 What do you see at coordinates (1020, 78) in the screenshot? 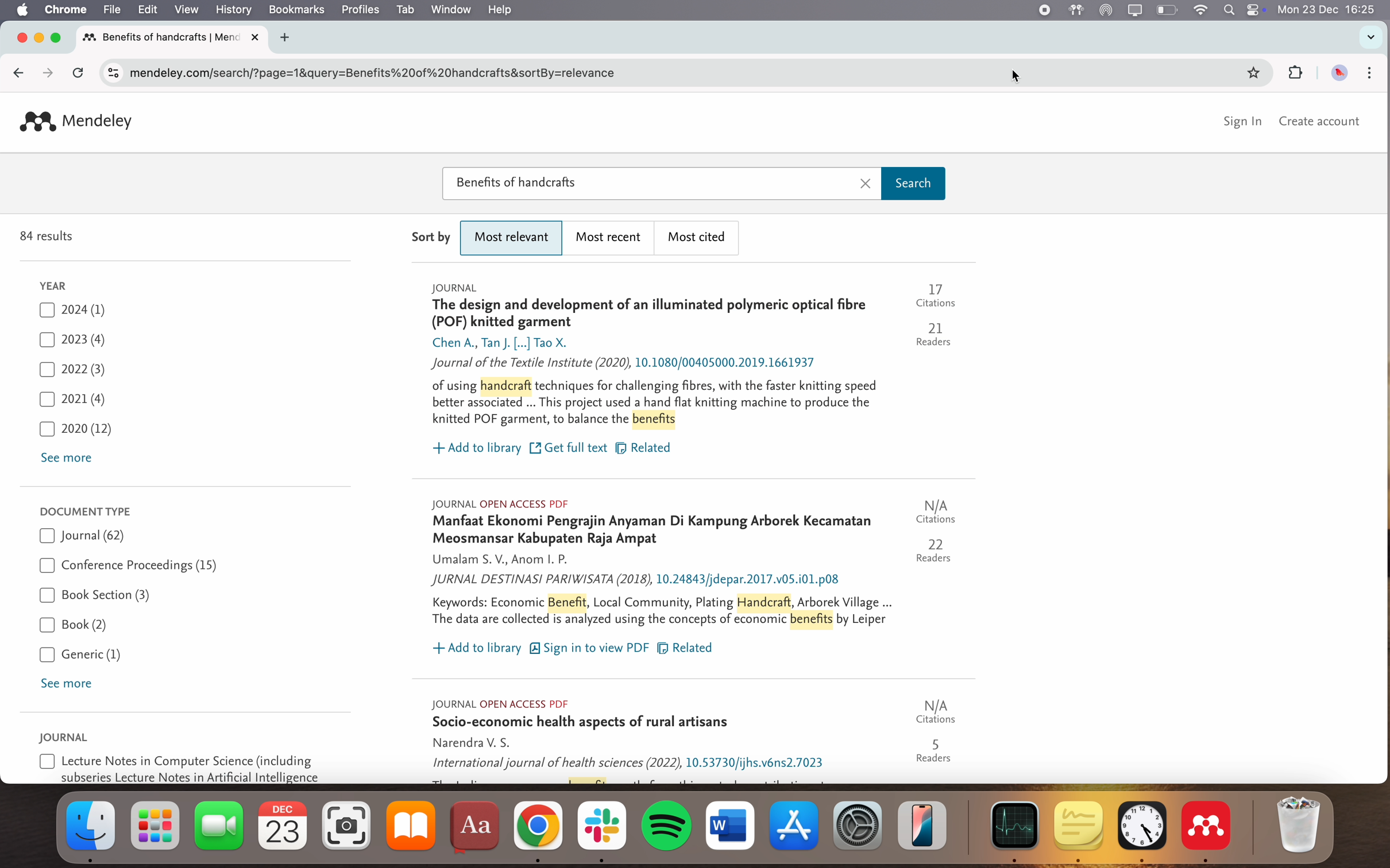
I see `cursor` at bounding box center [1020, 78].